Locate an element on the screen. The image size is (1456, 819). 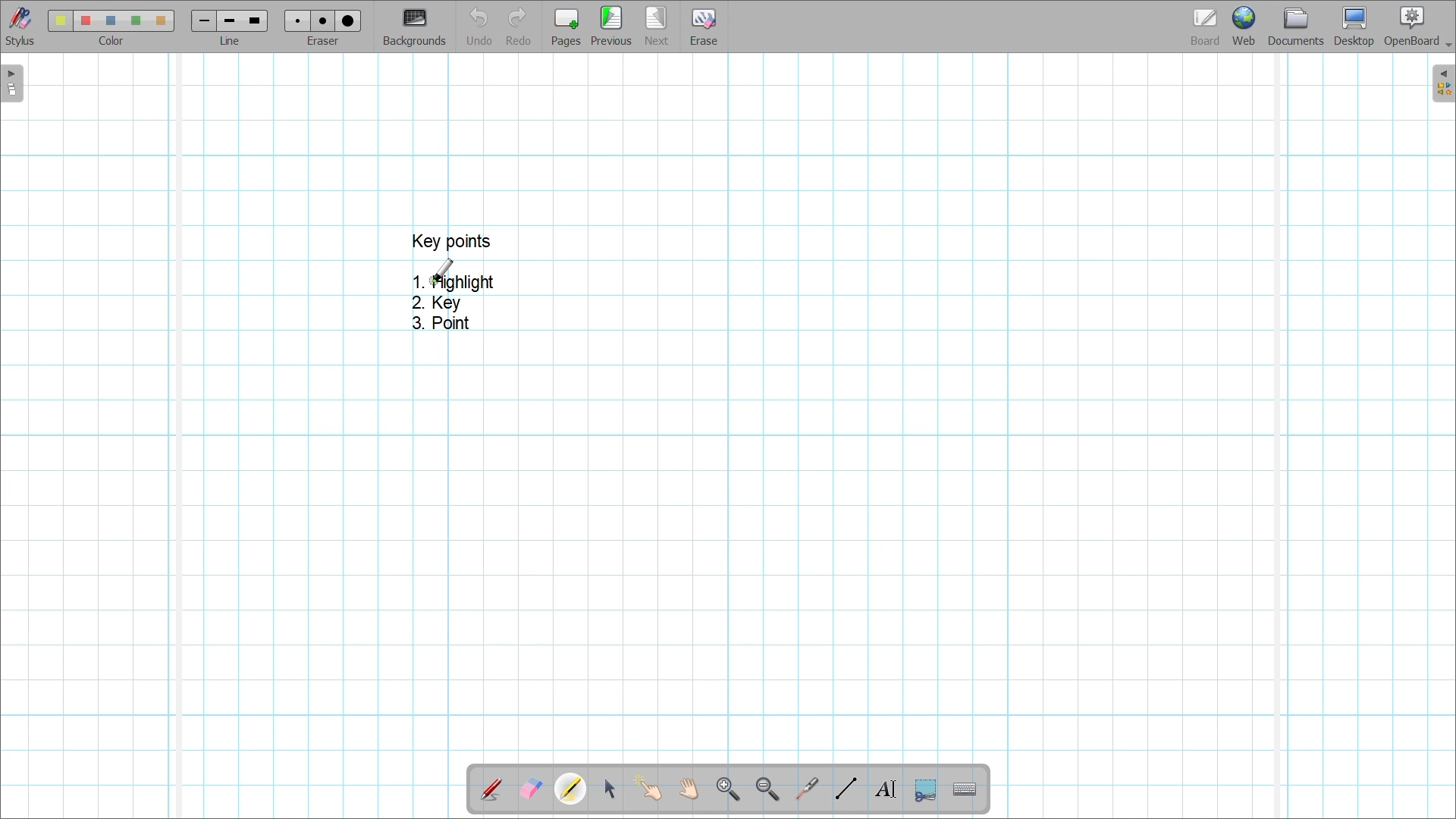
Line 1 is located at coordinates (202, 20).